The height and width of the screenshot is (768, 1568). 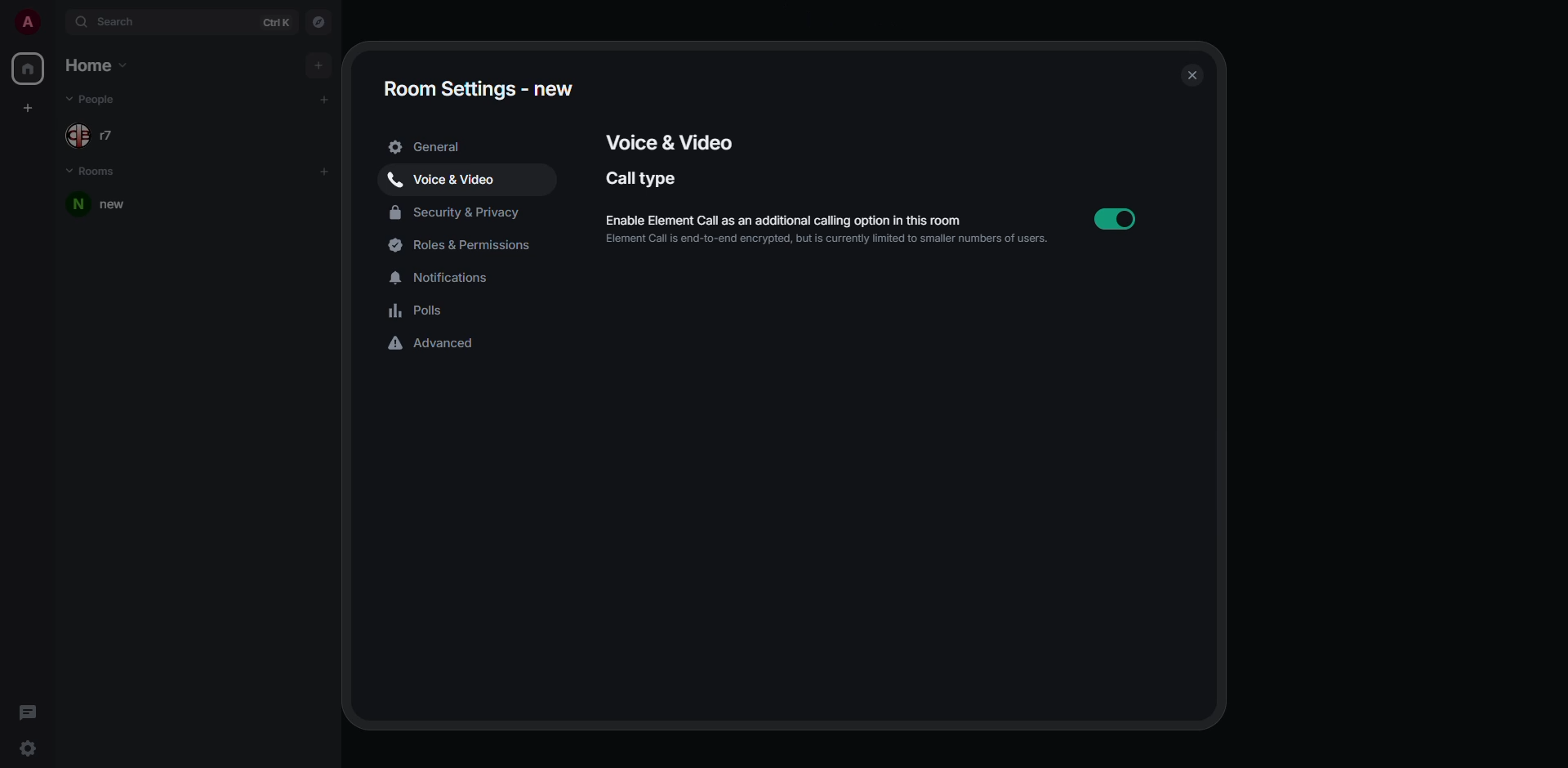 I want to click on advanced, so click(x=436, y=345).